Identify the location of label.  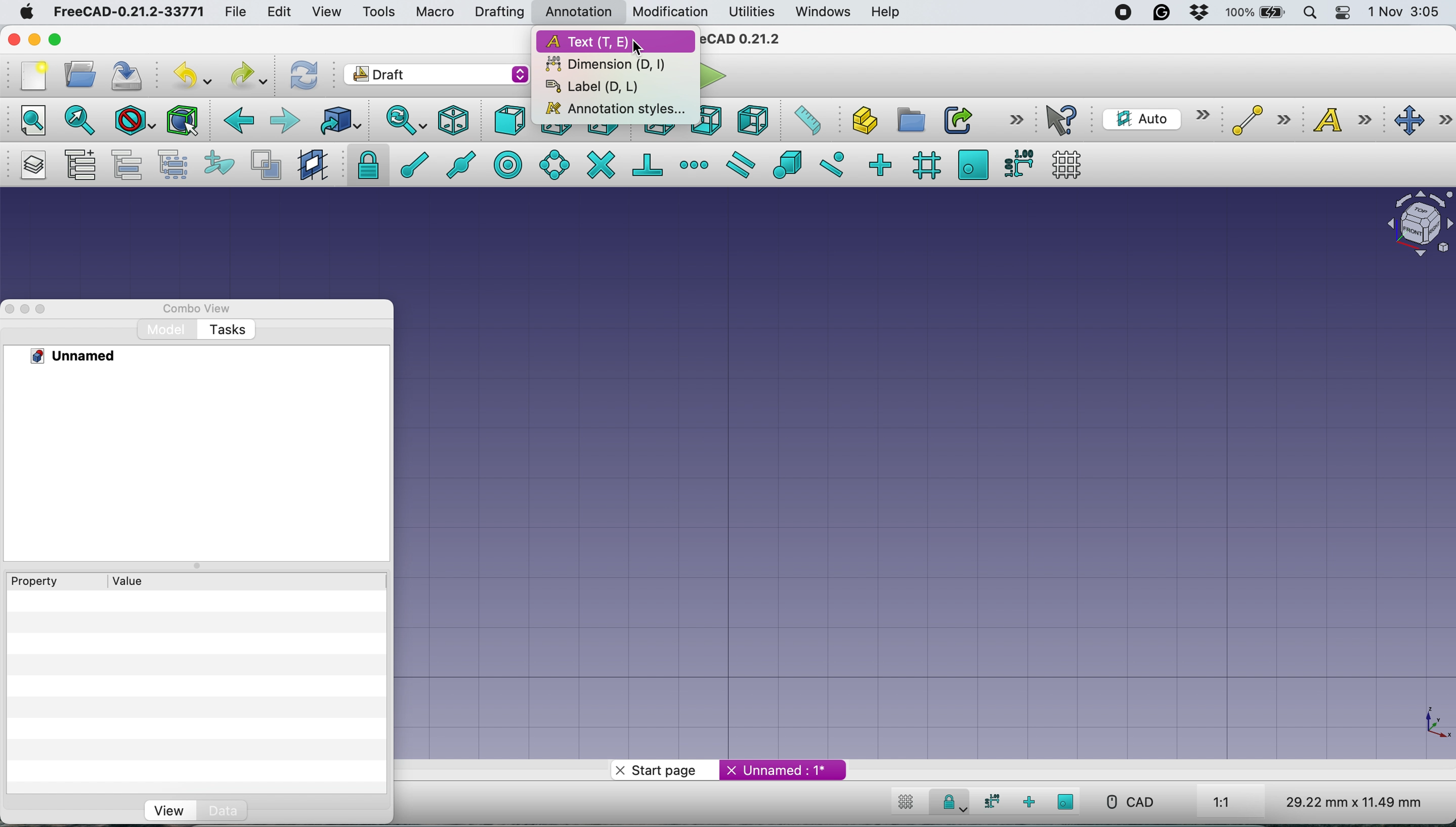
(596, 88).